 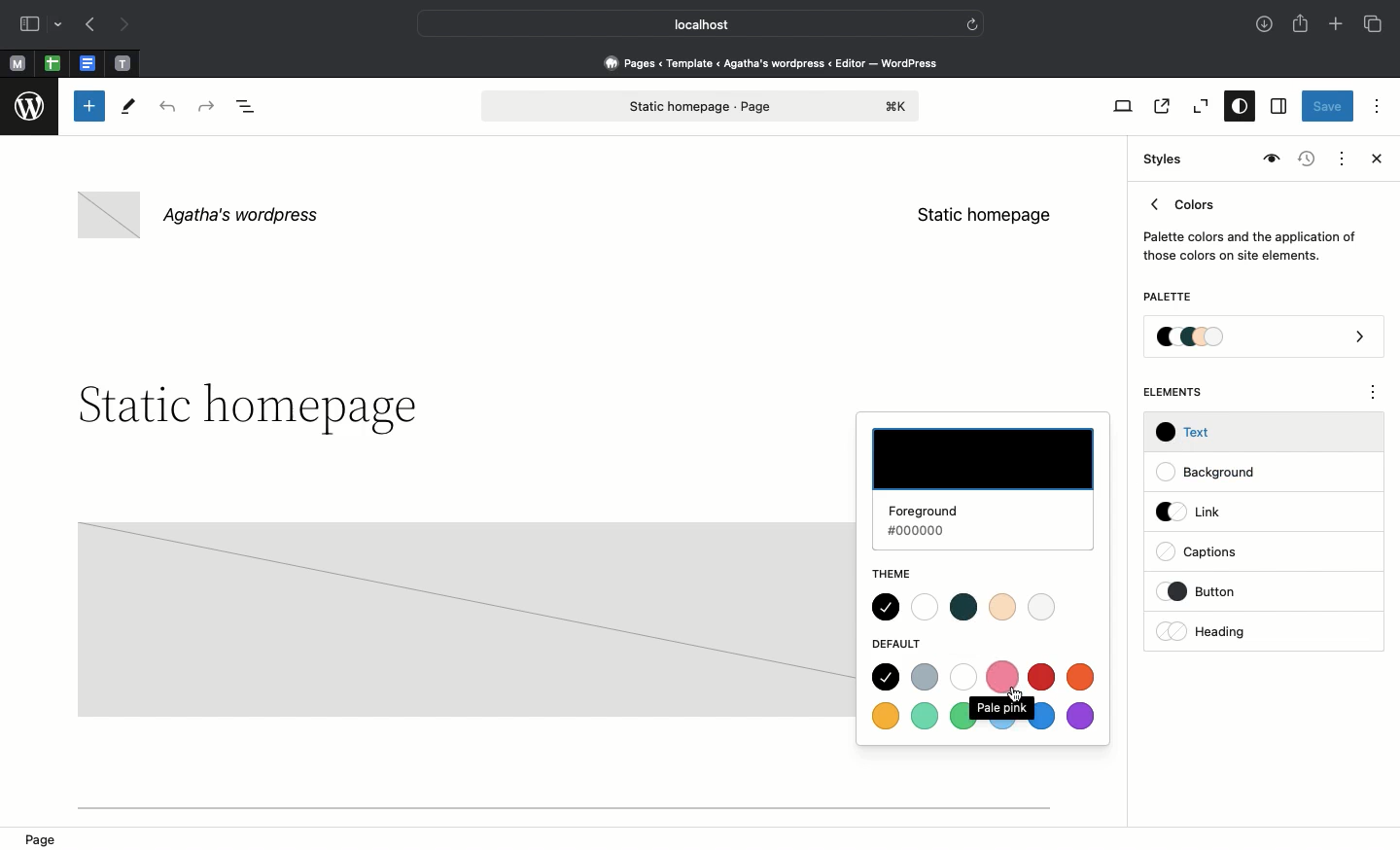 I want to click on Next page, so click(x=124, y=25).